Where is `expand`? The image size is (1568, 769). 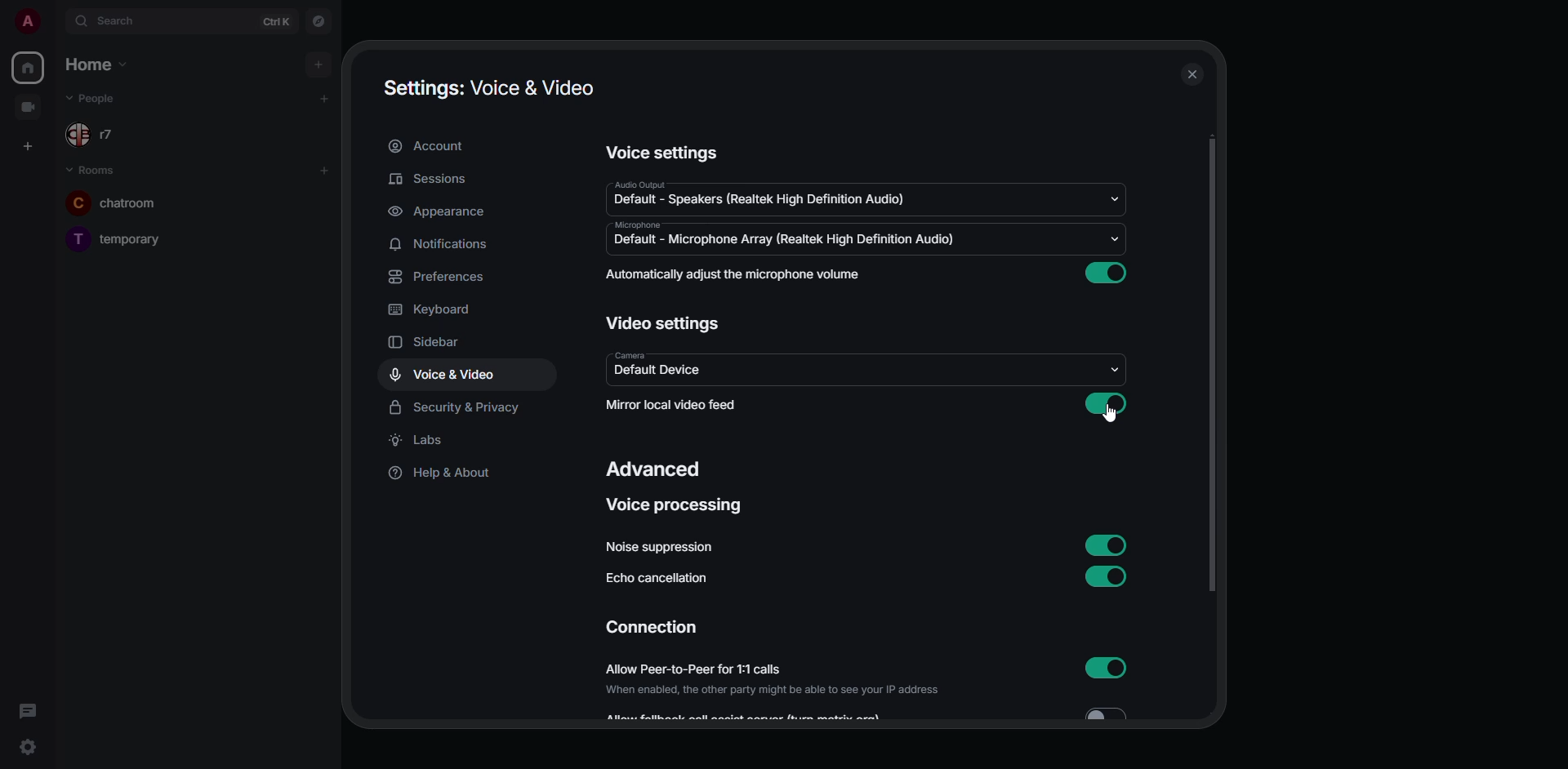
expand is located at coordinates (59, 24).